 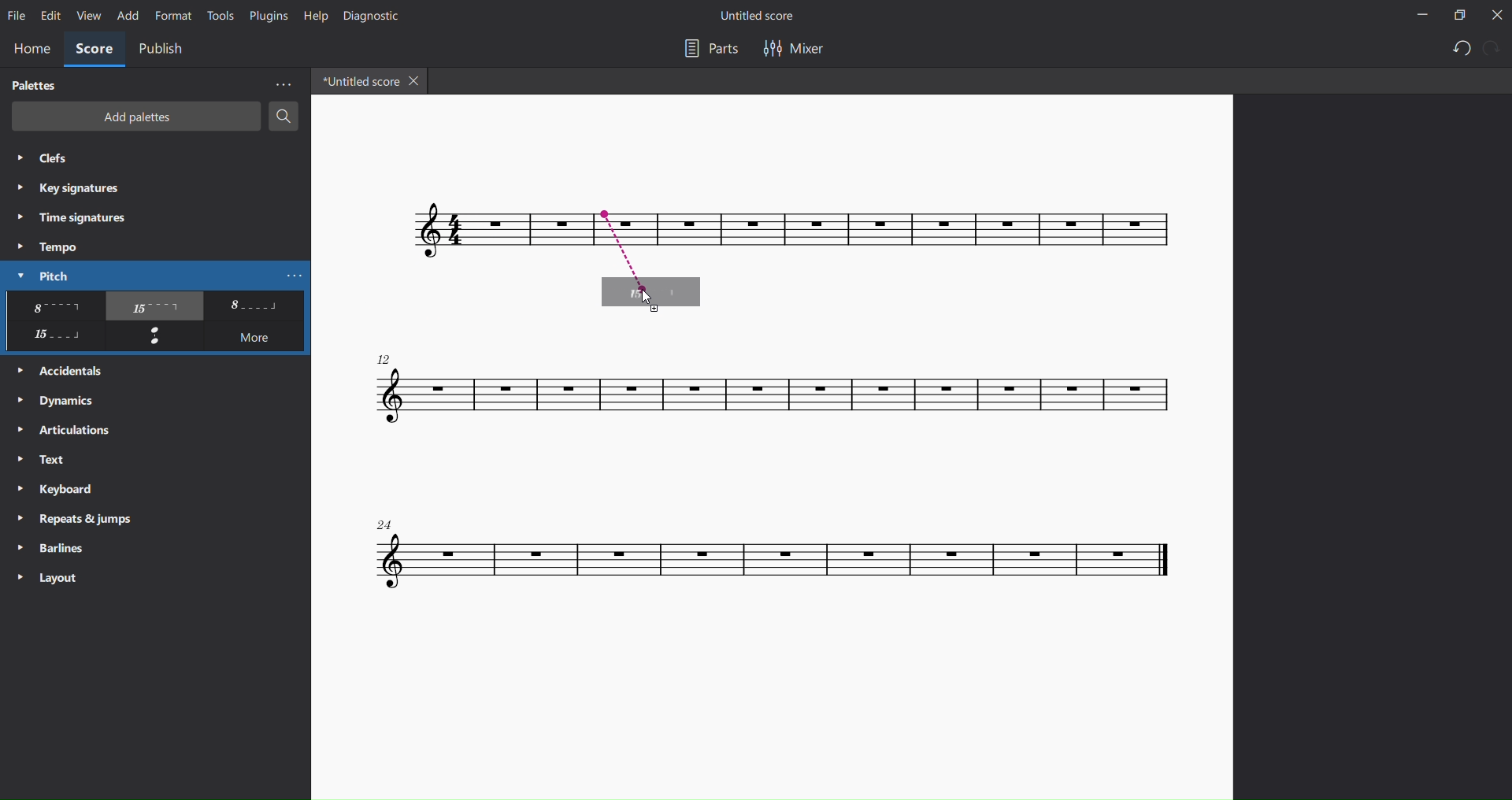 What do you see at coordinates (661, 246) in the screenshot?
I see `inserting area` at bounding box center [661, 246].